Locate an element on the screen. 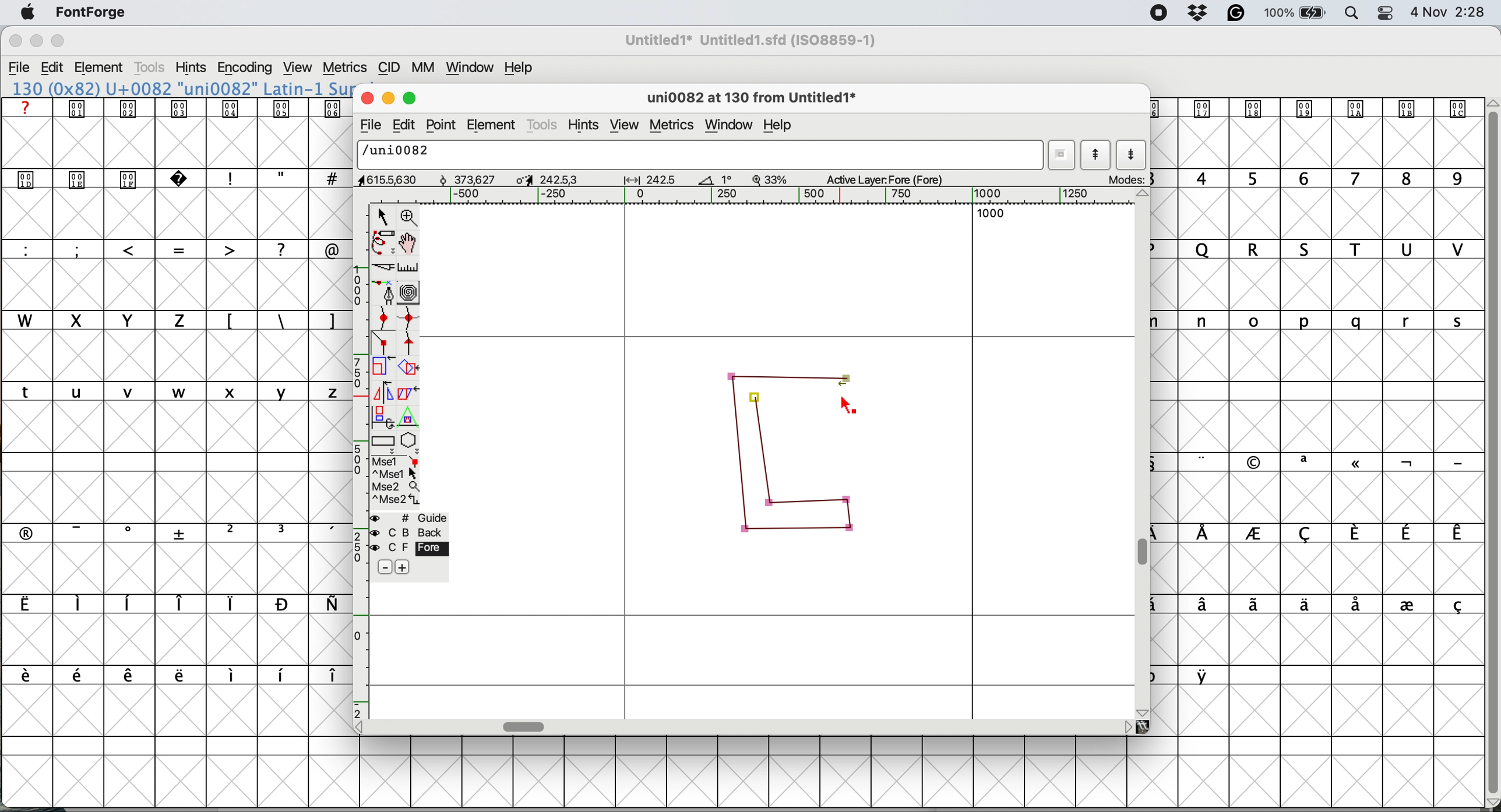  close is located at coordinates (365, 96).